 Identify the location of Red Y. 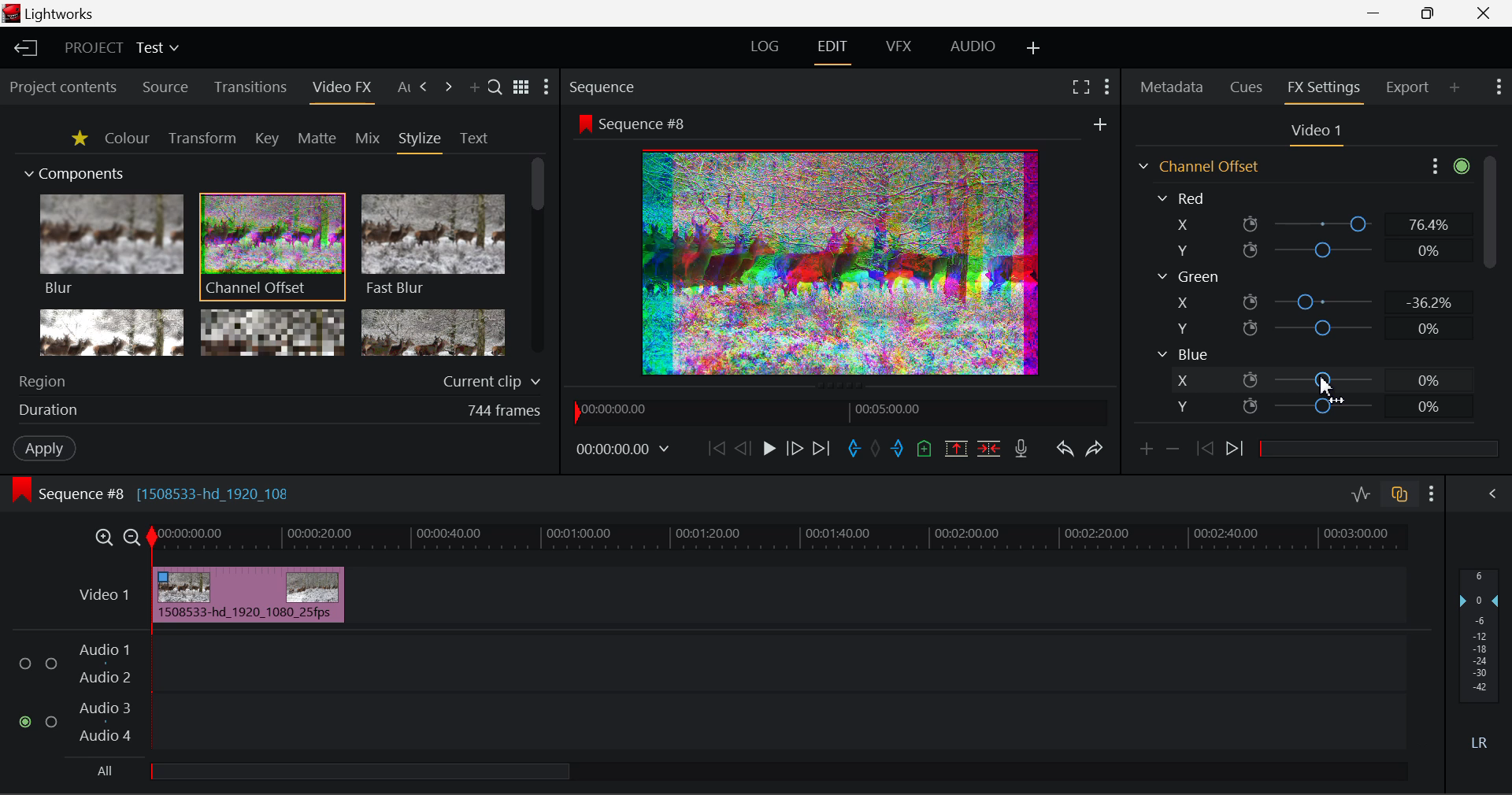
(1306, 250).